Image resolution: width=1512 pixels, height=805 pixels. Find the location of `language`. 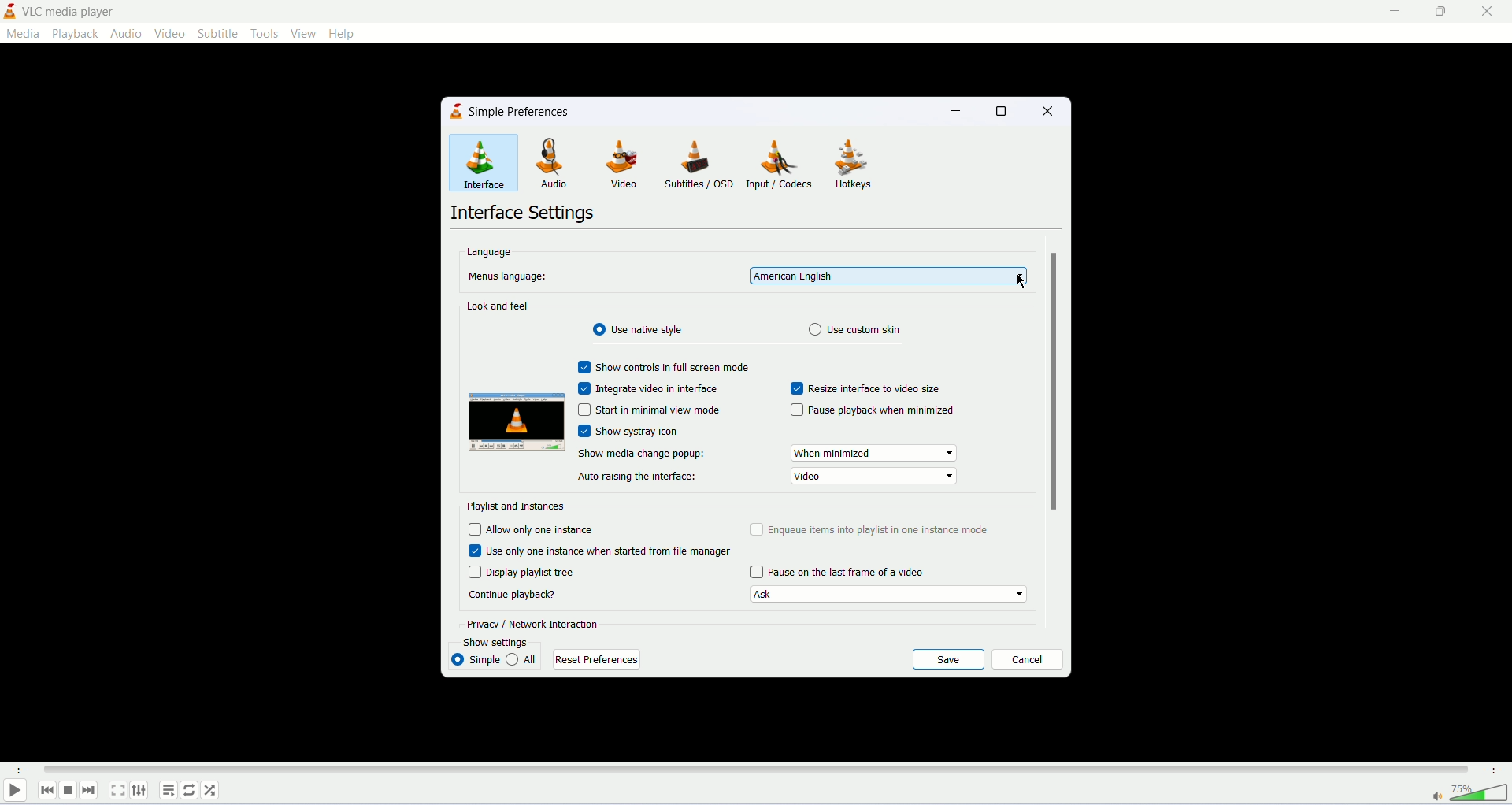

language is located at coordinates (490, 252).